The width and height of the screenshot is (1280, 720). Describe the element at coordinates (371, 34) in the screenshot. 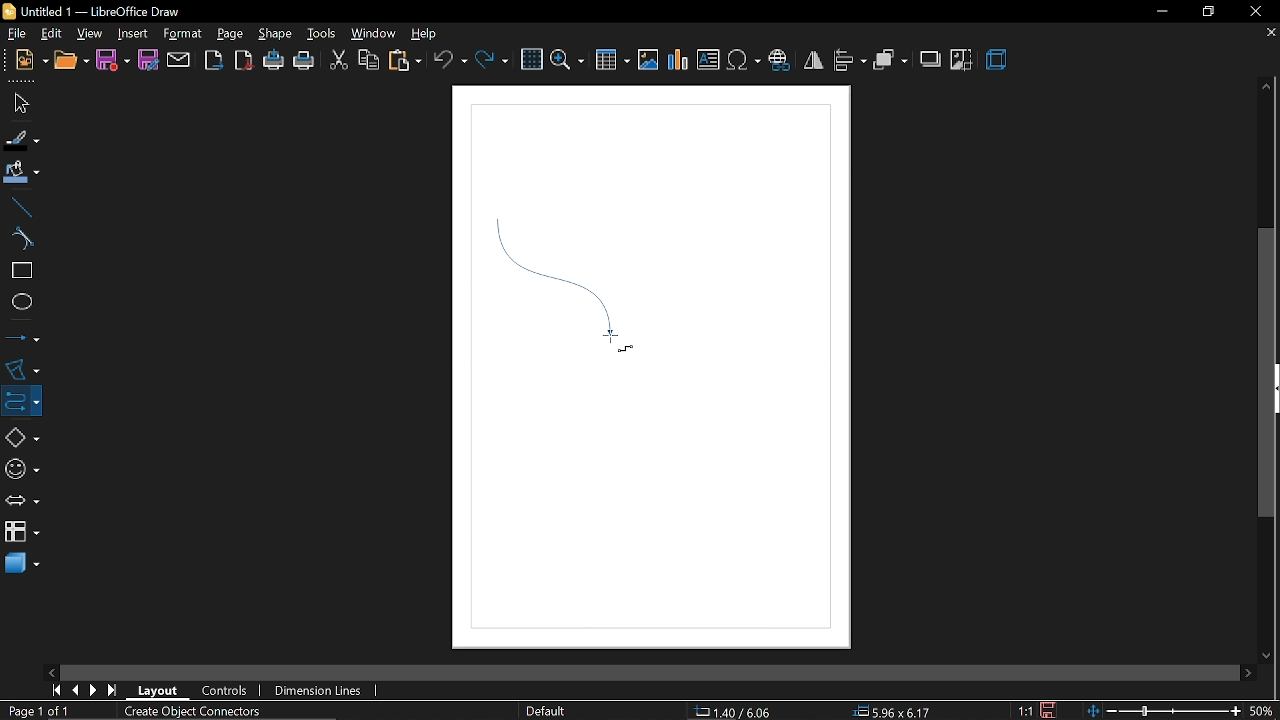

I see `window` at that location.